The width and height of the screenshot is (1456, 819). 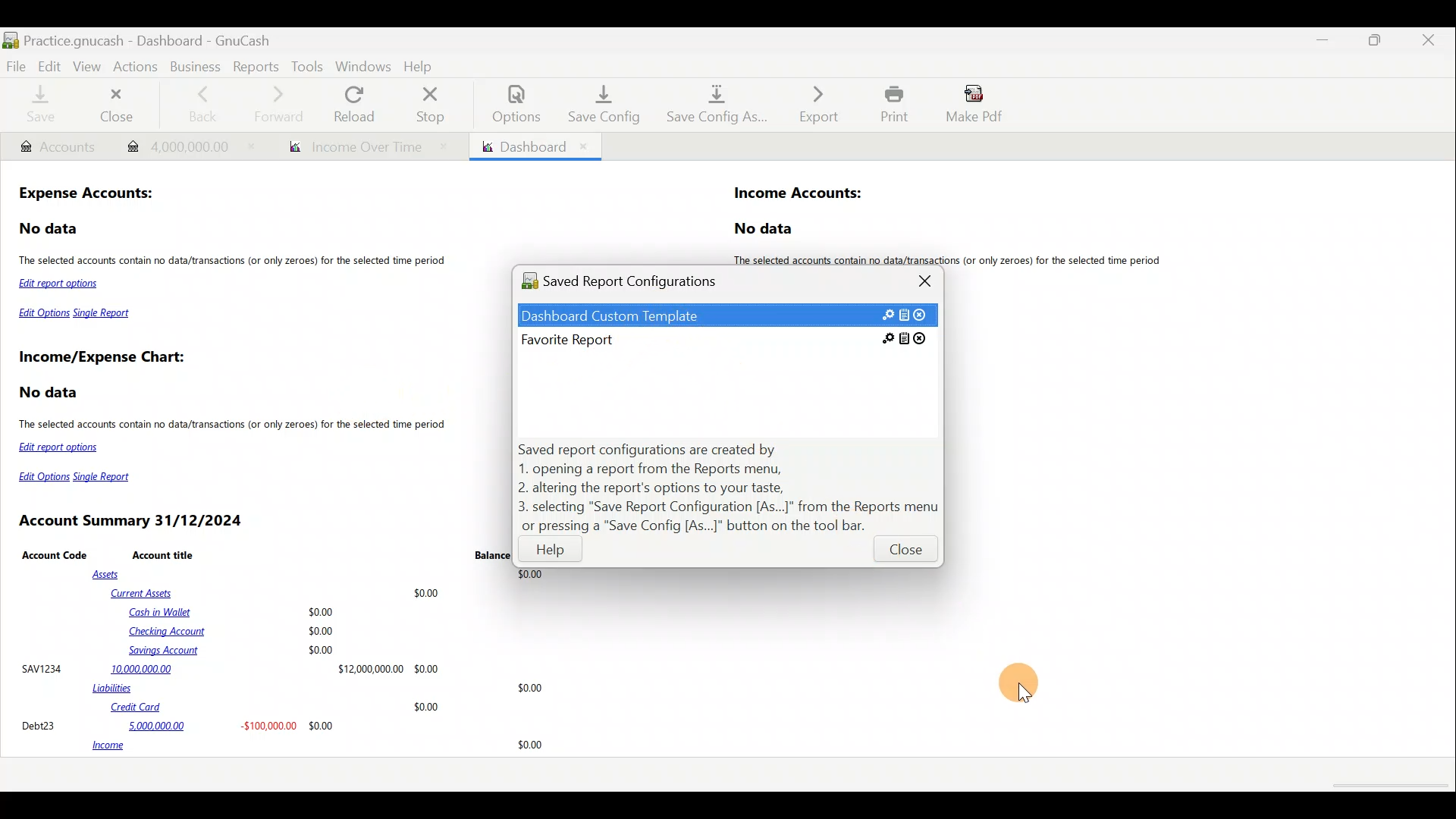 What do you see at coordinates (422, 64) in the screenshot?
I see `Help` at bounding box center [422, 64].